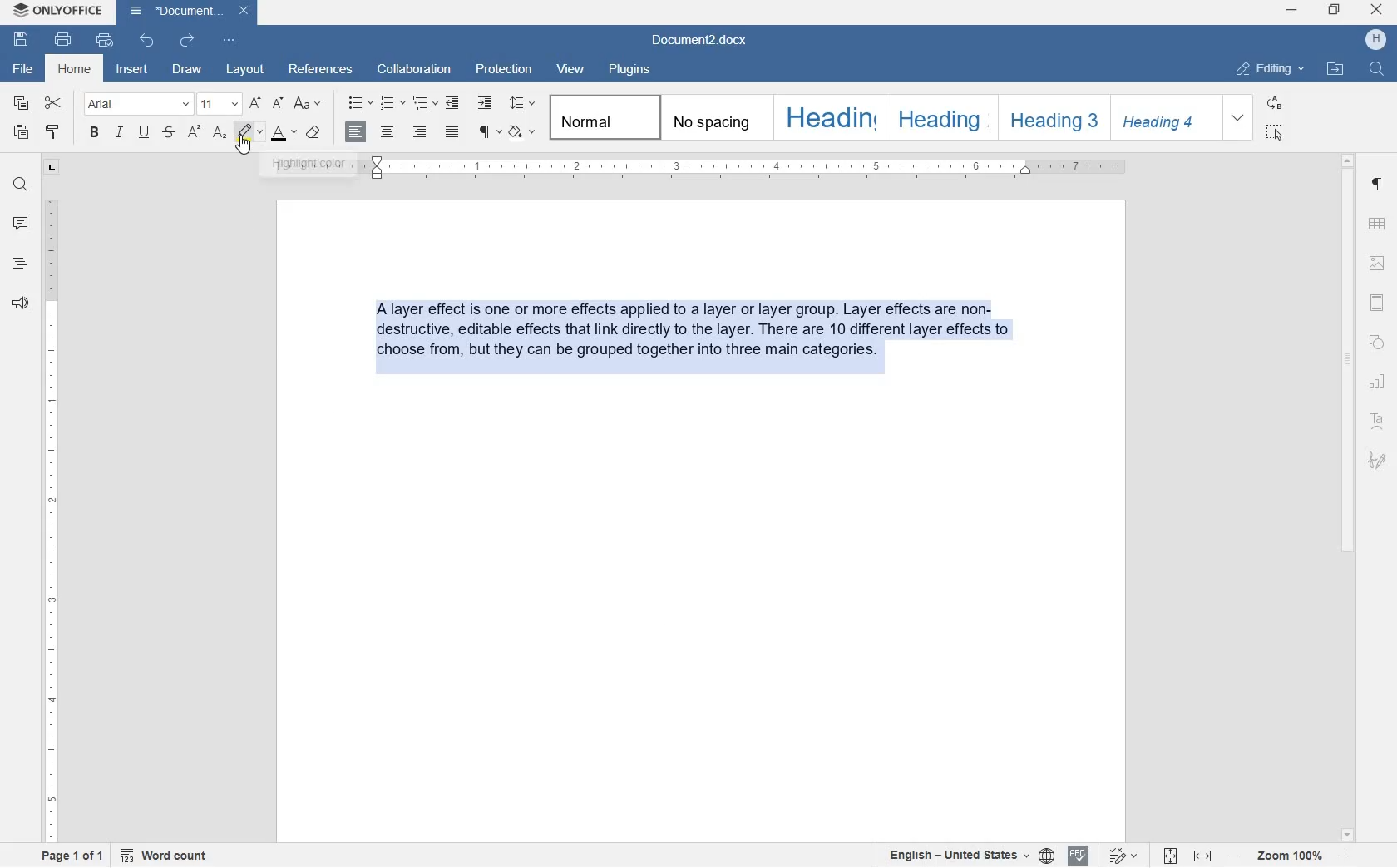  Describe the element at coordinates (278, 102) in the screenshot. I see `DECREMENT FONT SIZE` at that location.